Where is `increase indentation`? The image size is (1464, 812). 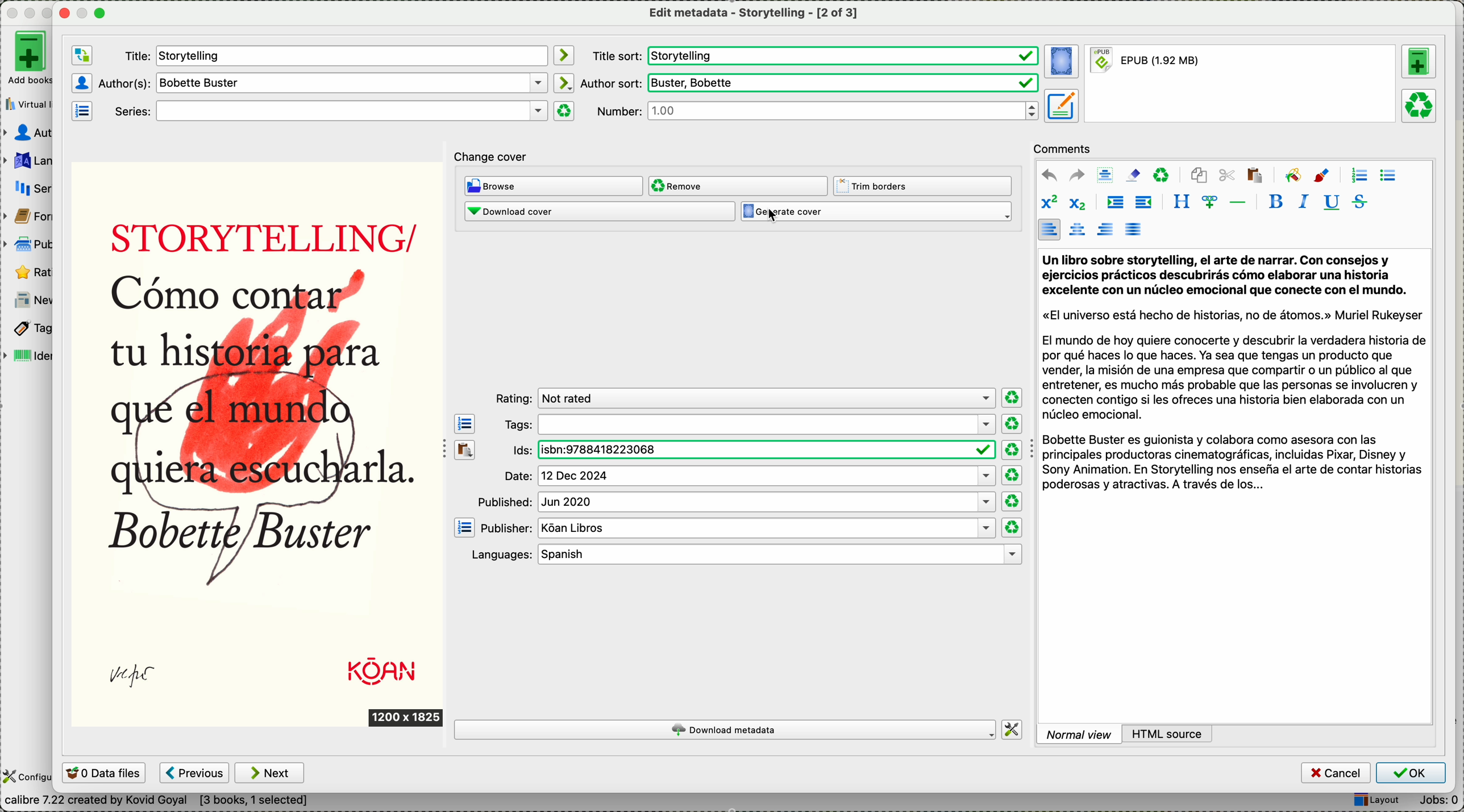 increase indentation is located at coordinates (1113, 203).